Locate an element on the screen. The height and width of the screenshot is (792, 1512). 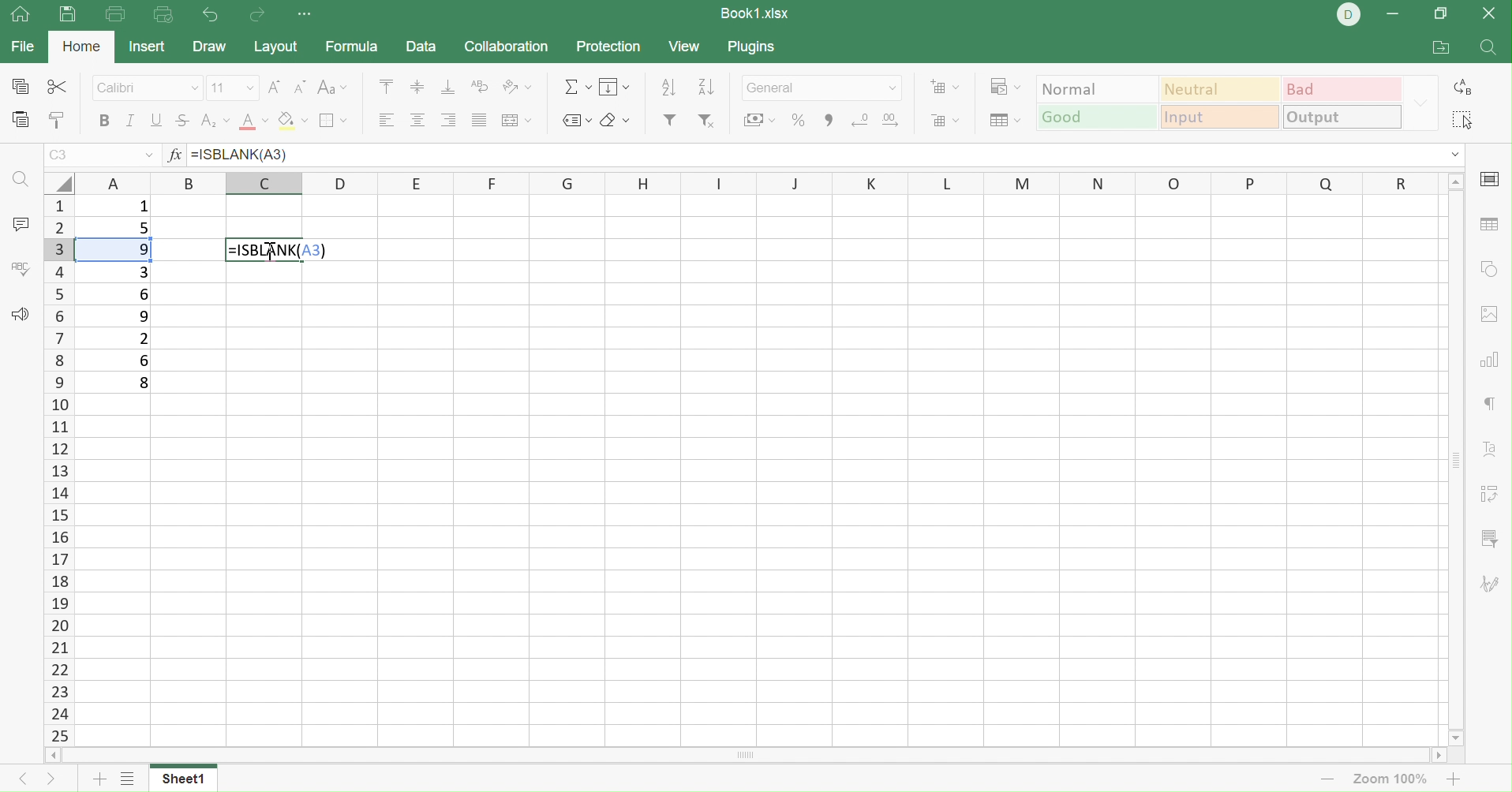
Close is located at coordinates (1493, 13).